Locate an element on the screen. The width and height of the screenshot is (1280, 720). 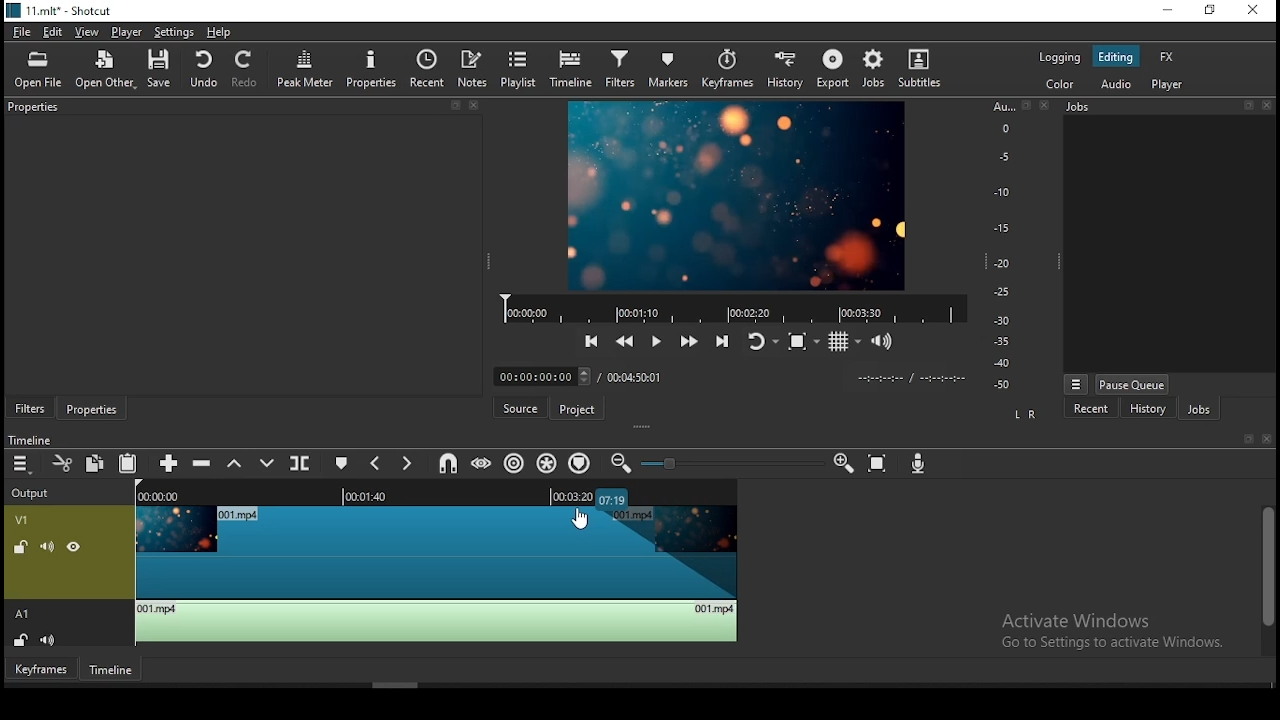
video time is located at coordinates (170, 497).